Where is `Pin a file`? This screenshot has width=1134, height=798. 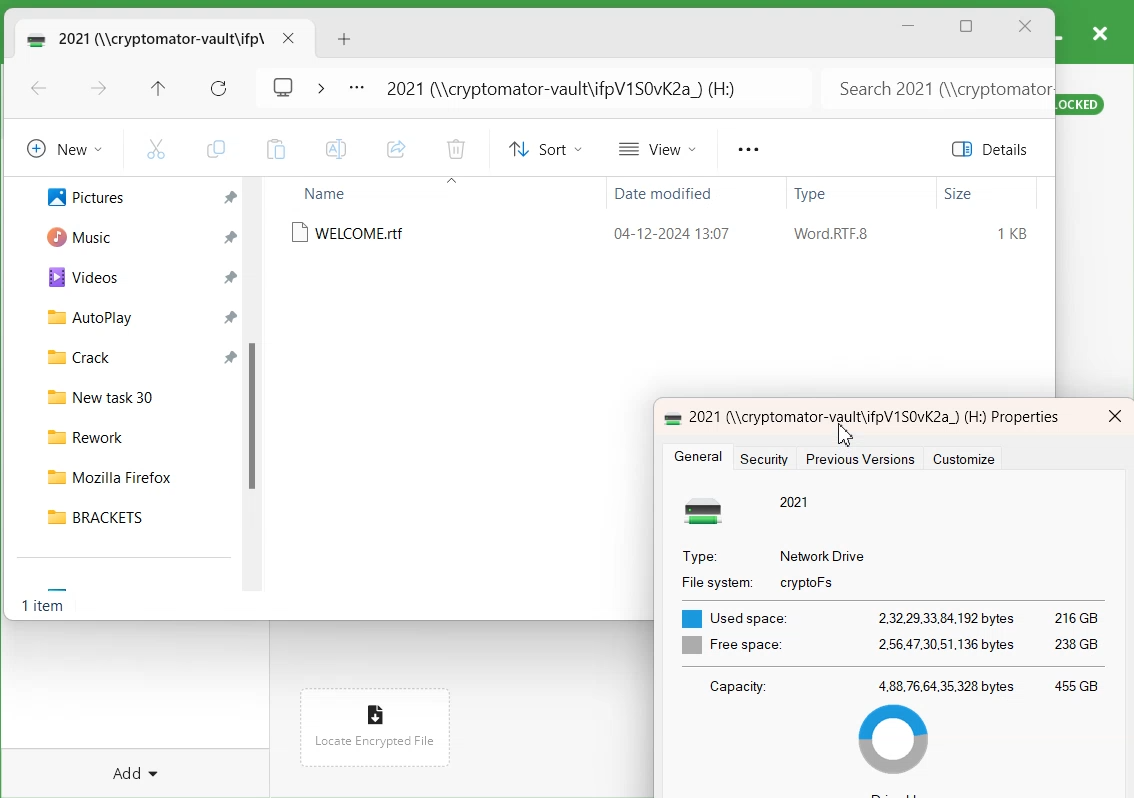 Pin a file is located at coordinates (230, 237).